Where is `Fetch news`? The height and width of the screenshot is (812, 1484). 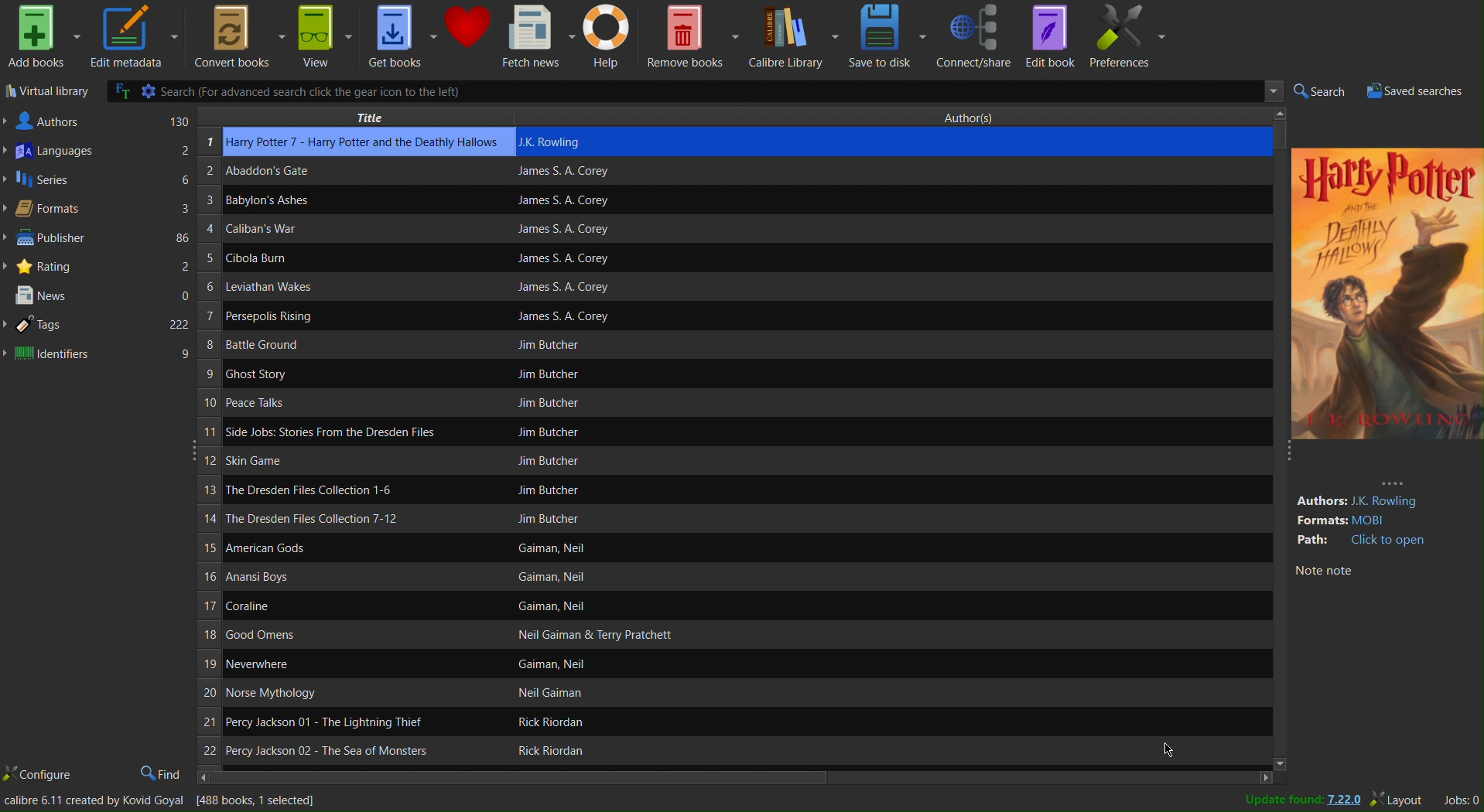
Fetch news is located at coordinates (538, 36).